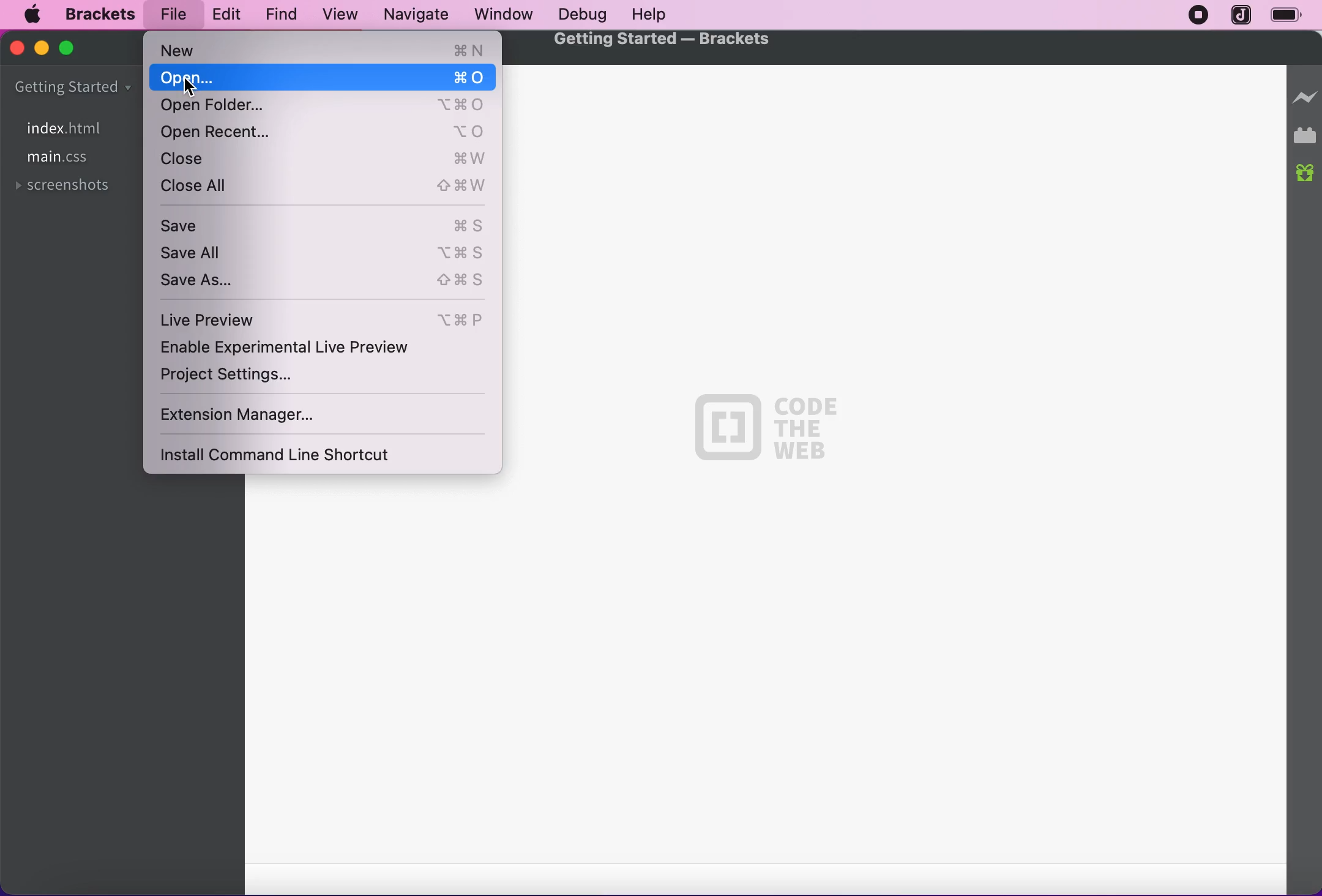 Image resolution: width=1322 pixels, height=896 pixels. Describe the element at coordinates (504, 13) in the screenshot. I see `window` at that location.